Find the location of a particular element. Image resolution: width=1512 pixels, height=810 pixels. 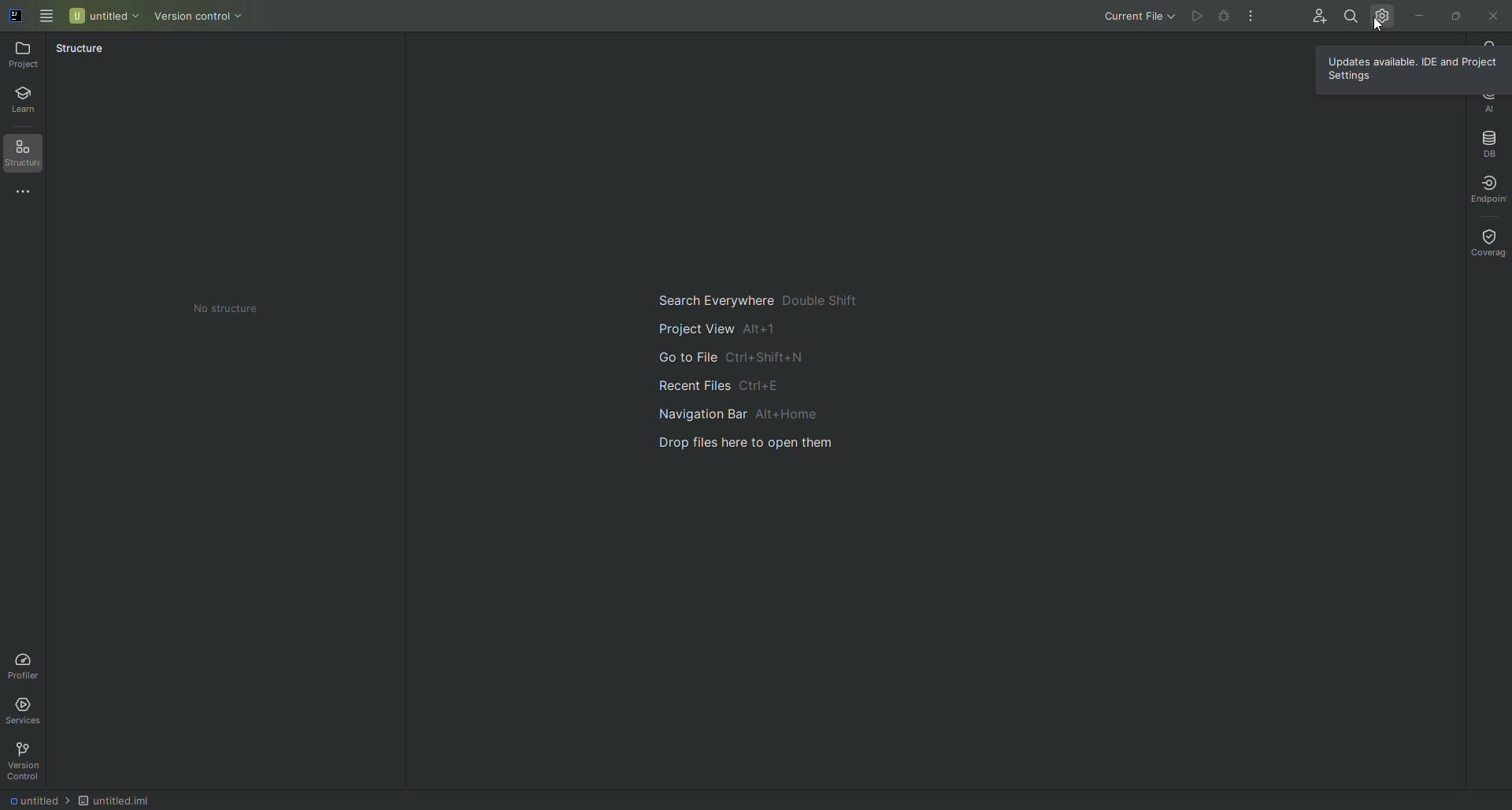

cursor is located at coordinates (1371, 28).